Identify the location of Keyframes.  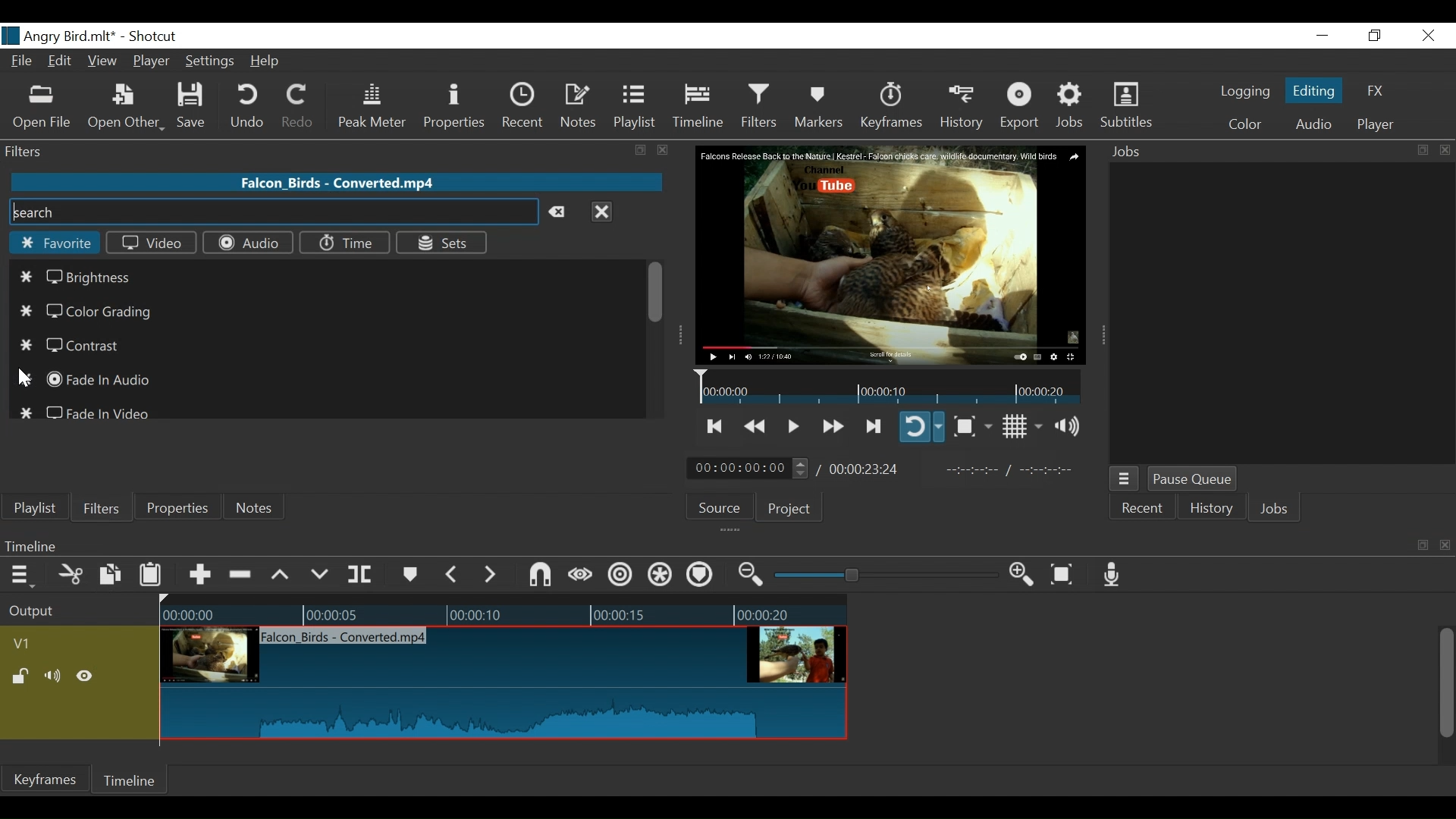
(890, 106).